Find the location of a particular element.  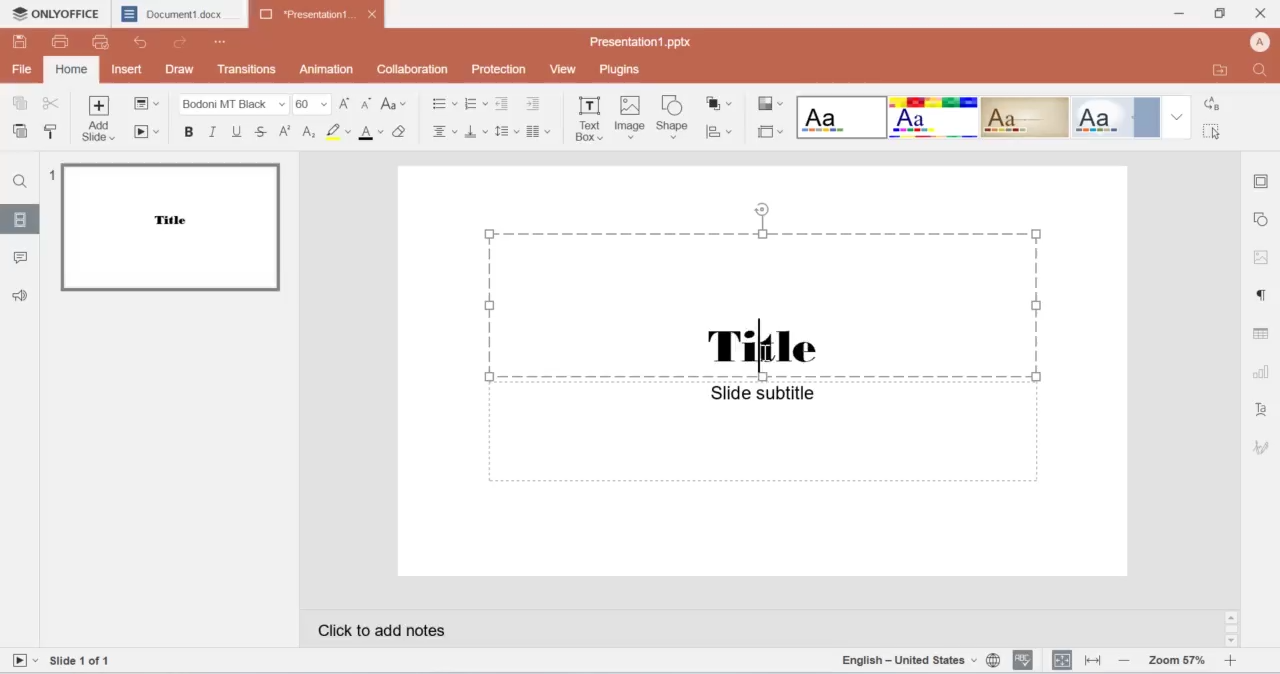

print is located at coordinates (63, 43).